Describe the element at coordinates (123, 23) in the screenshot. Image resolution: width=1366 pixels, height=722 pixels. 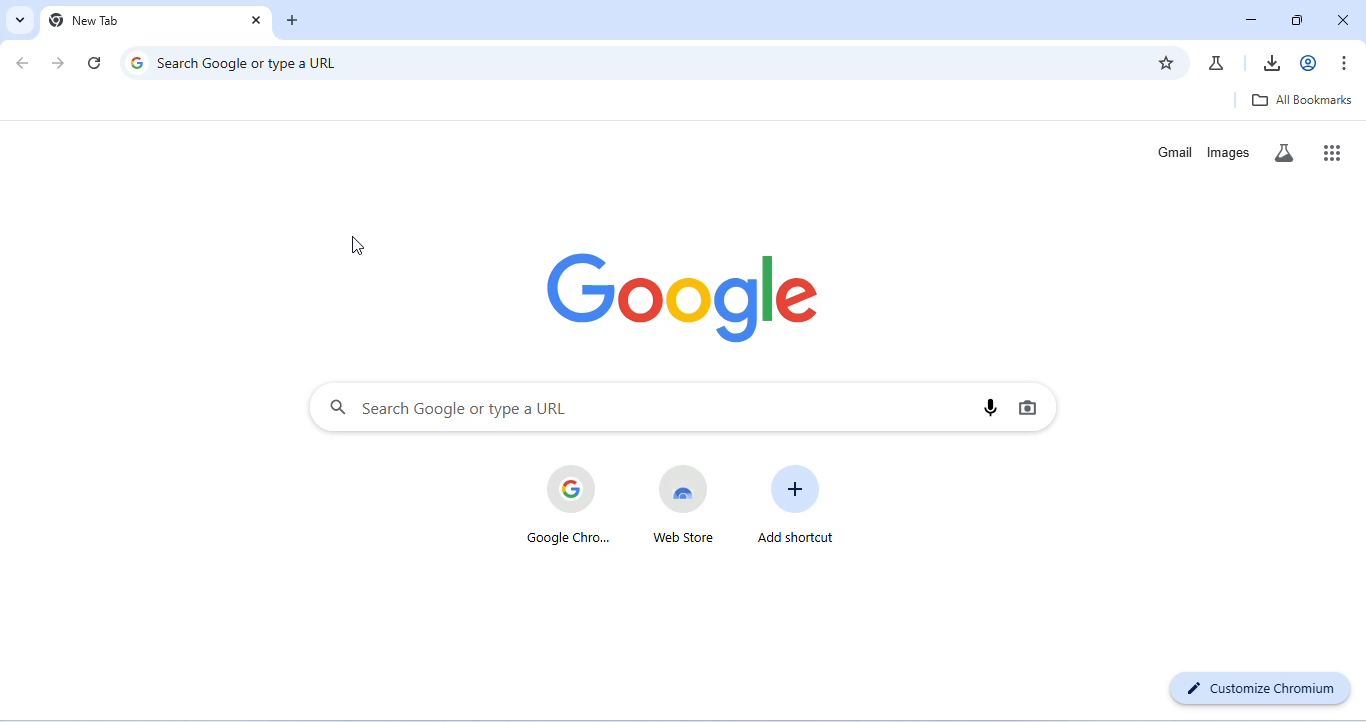
I see `new tab` at that location.